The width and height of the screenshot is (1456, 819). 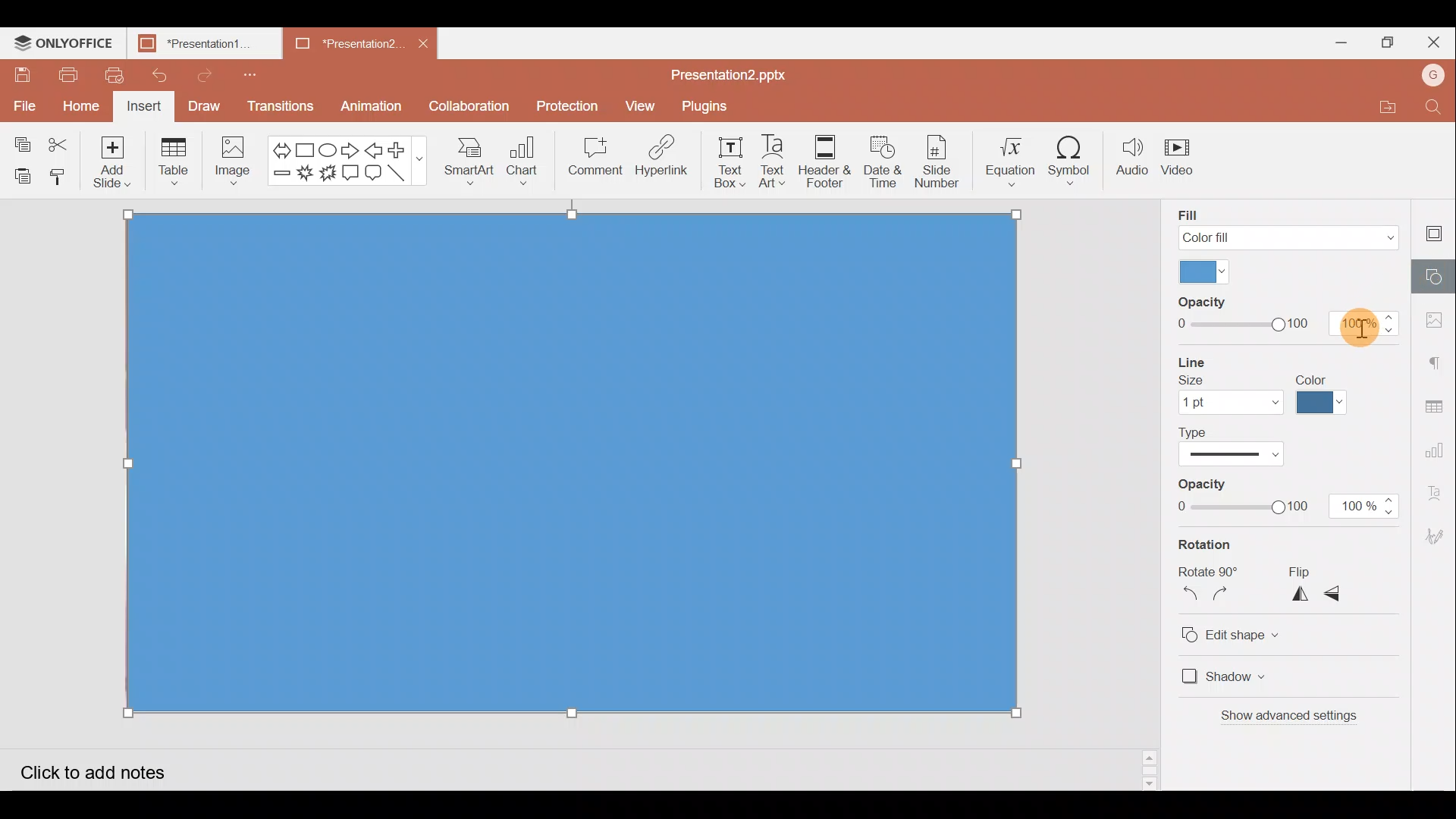 I want to click on View, so click(x=638, y=106).